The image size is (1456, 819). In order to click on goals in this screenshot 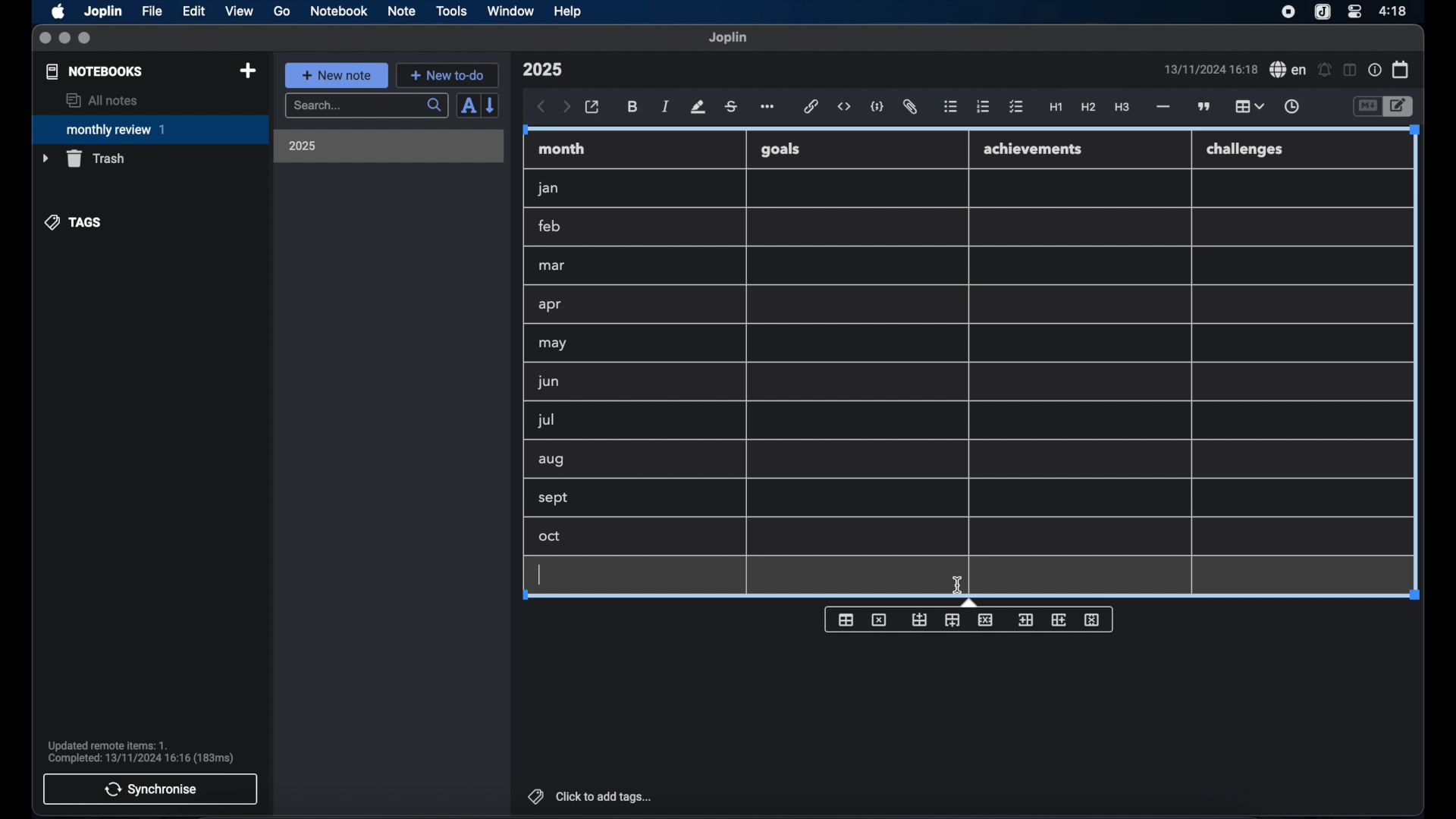, I will do `click(780, 149)`.